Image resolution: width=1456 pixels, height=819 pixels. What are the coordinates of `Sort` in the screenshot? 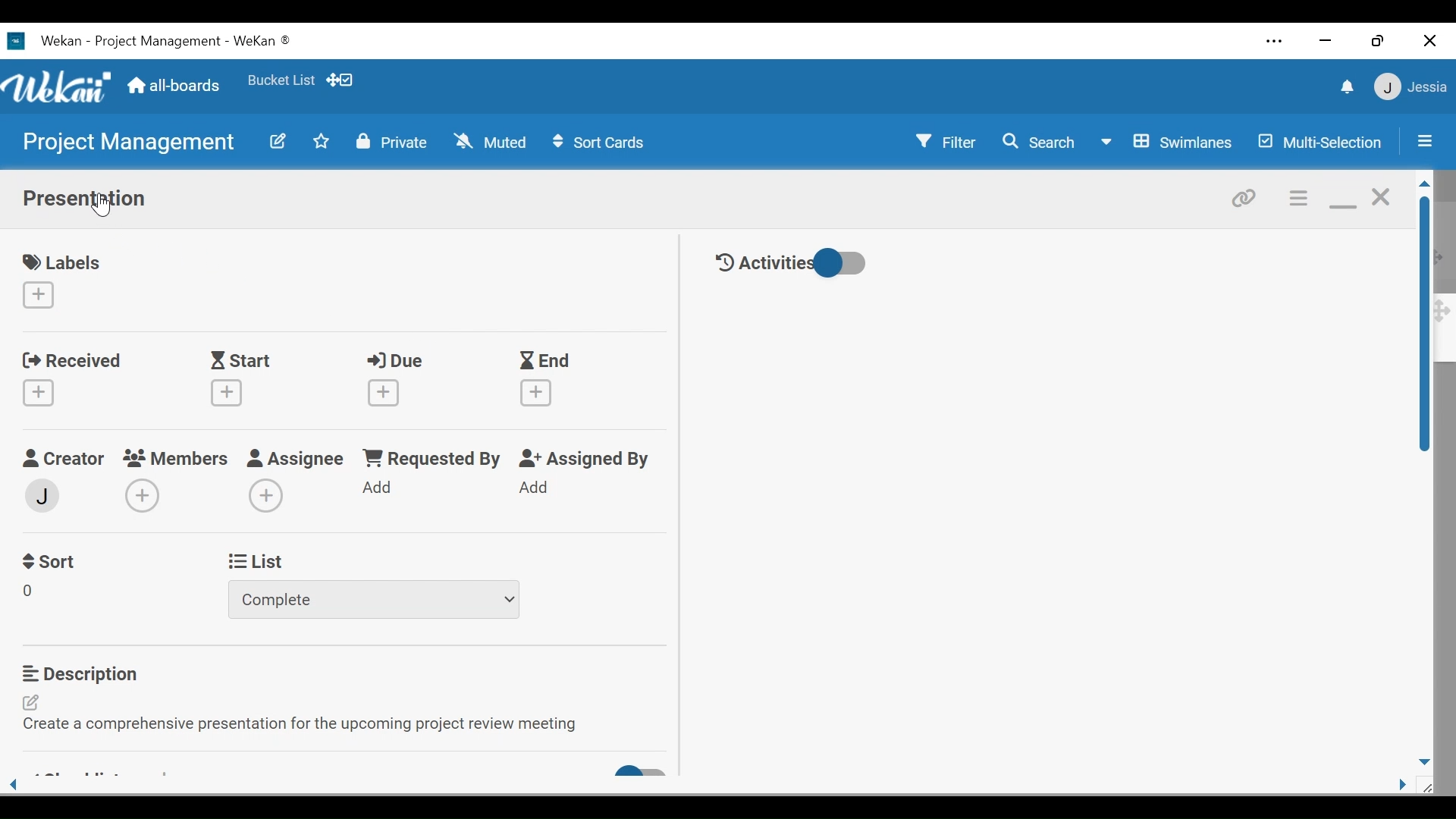 It's located at (51, 560).